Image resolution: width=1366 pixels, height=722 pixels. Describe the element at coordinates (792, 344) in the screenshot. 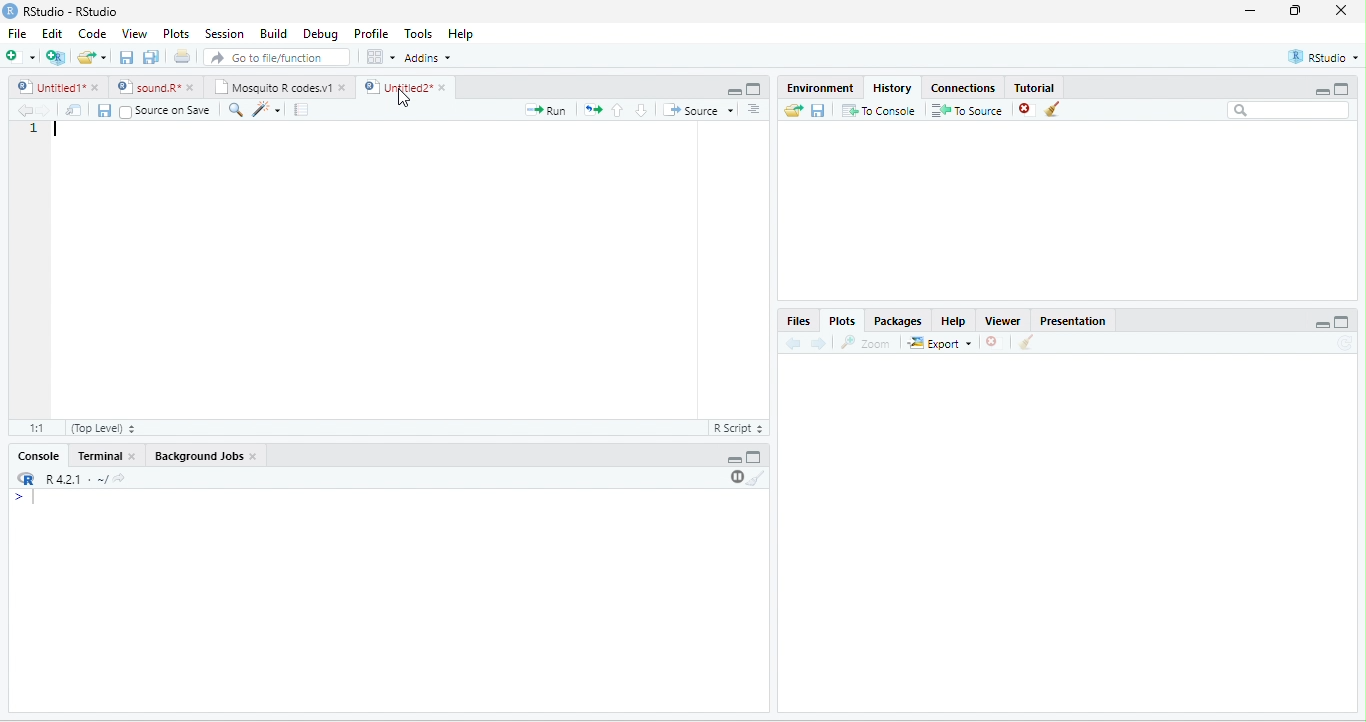

I see `back` at that location.